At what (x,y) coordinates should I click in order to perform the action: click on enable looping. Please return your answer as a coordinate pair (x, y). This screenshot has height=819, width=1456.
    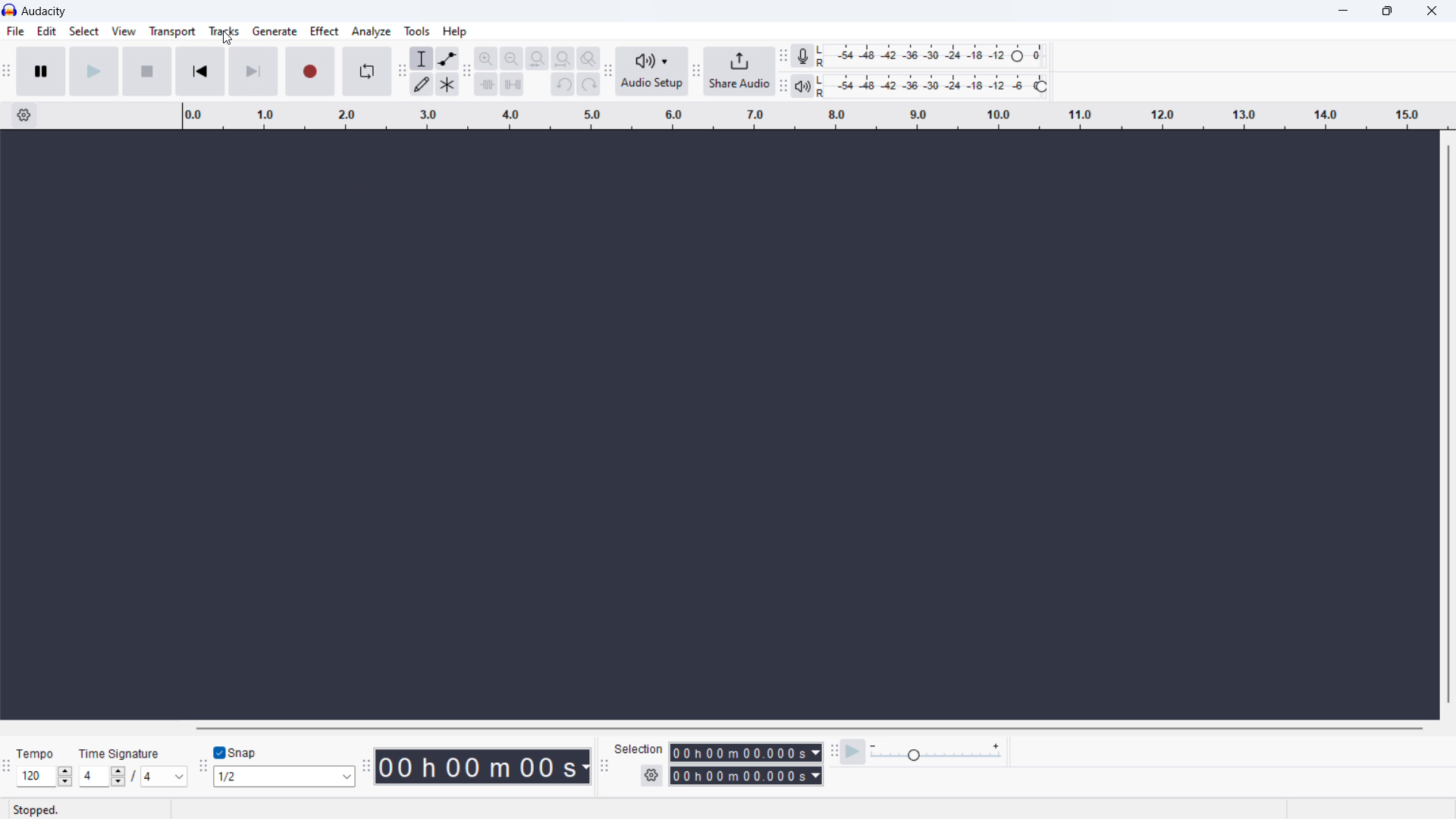
    Looking at the image, I should click on (366, 71).